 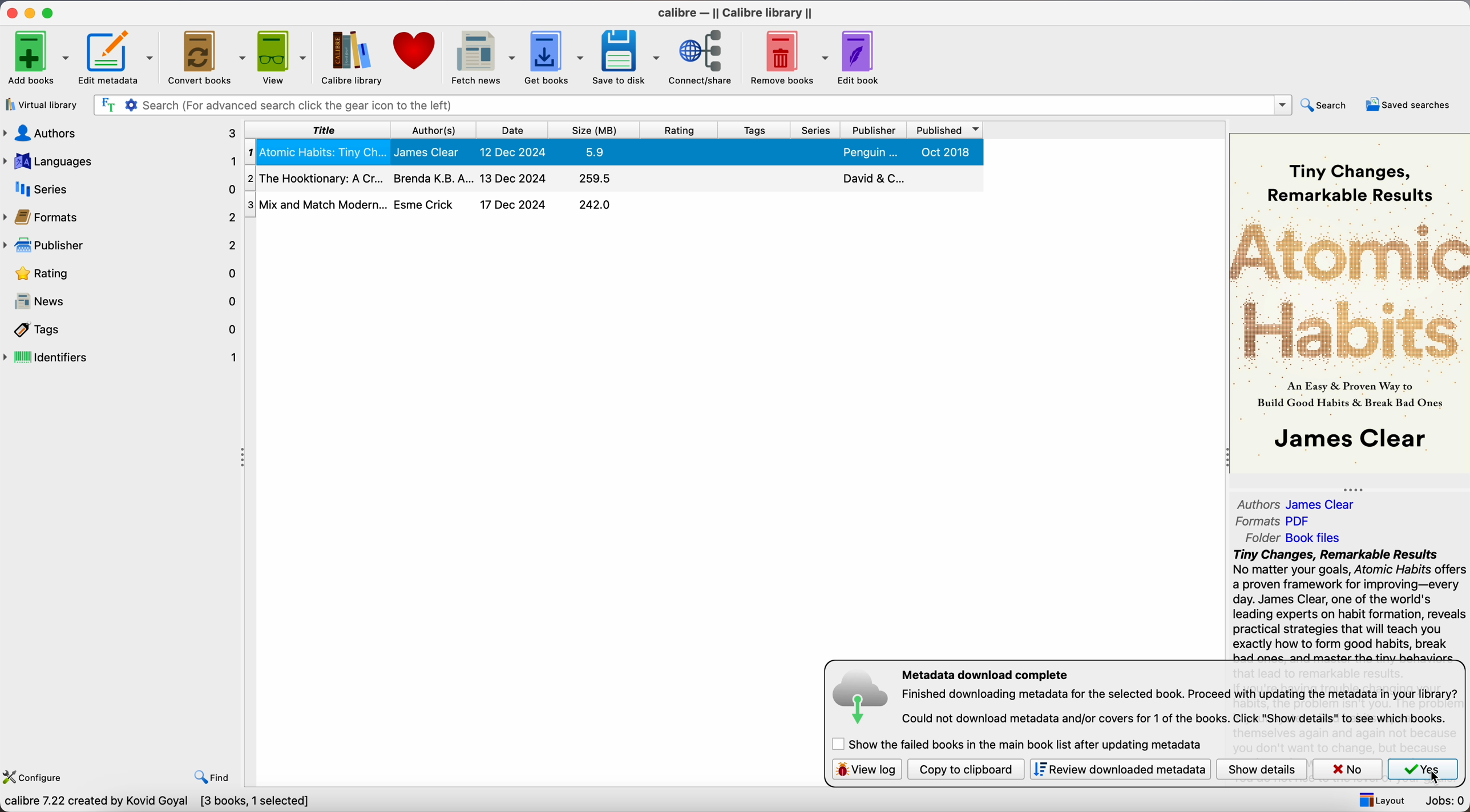 I want to click on Could not download metadata and/or covers for 1 of the books. Click 'Show details' to see which books., so click(x=1176, y=719).